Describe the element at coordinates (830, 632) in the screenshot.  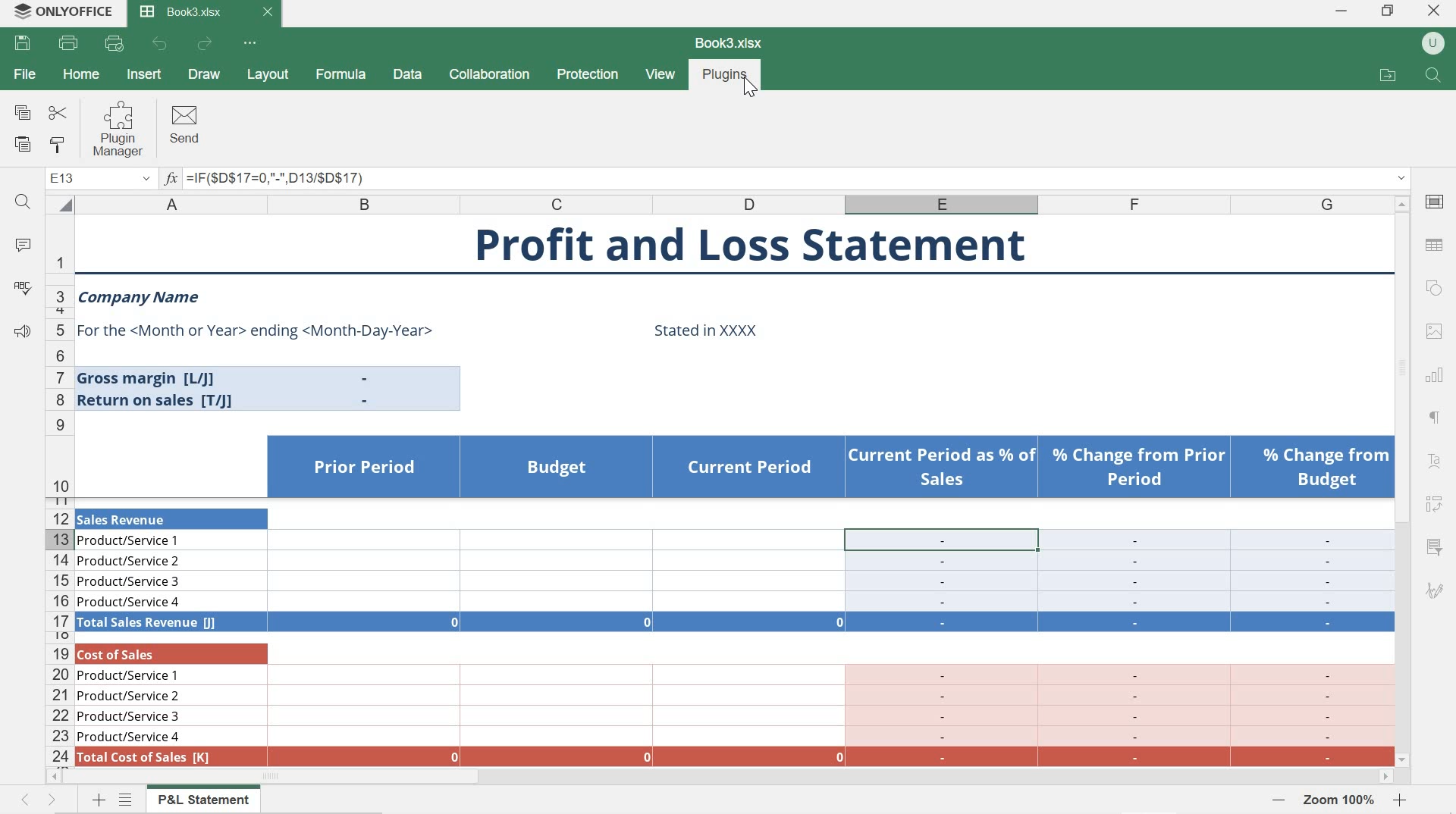
I see `input boxes` at that location.